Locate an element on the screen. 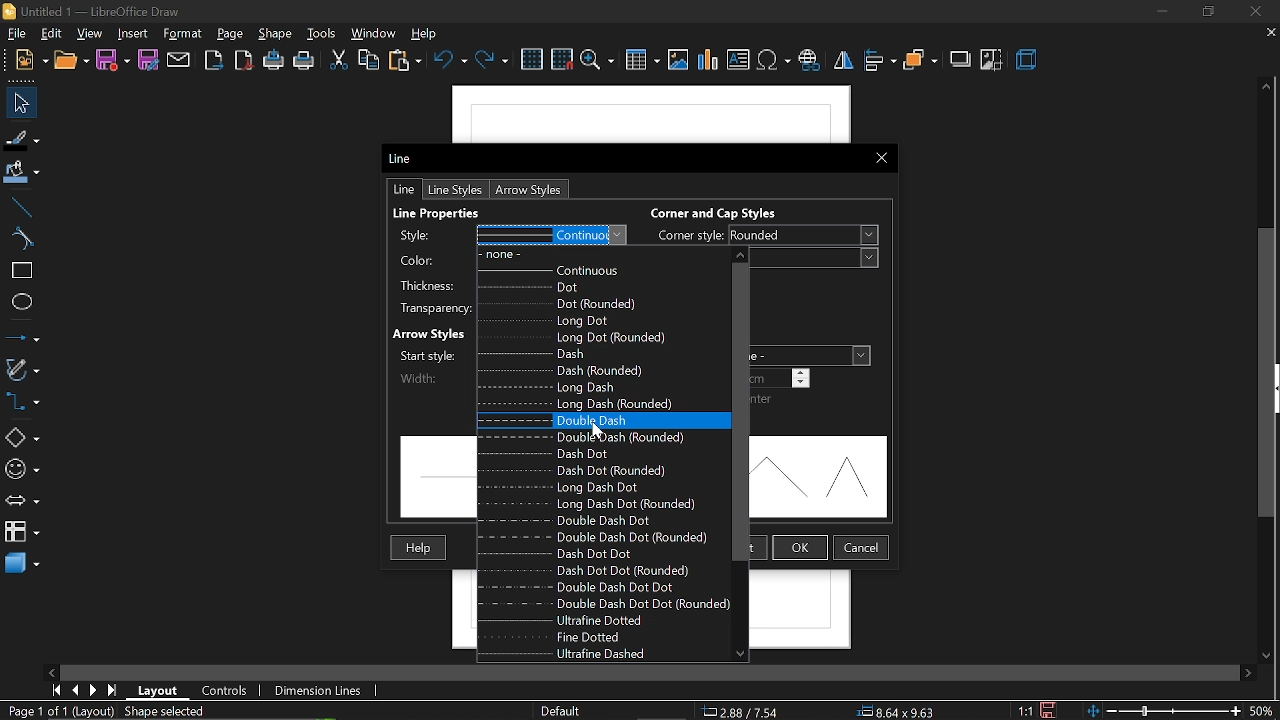  lines and arrows is located at coordinates (24, 336).